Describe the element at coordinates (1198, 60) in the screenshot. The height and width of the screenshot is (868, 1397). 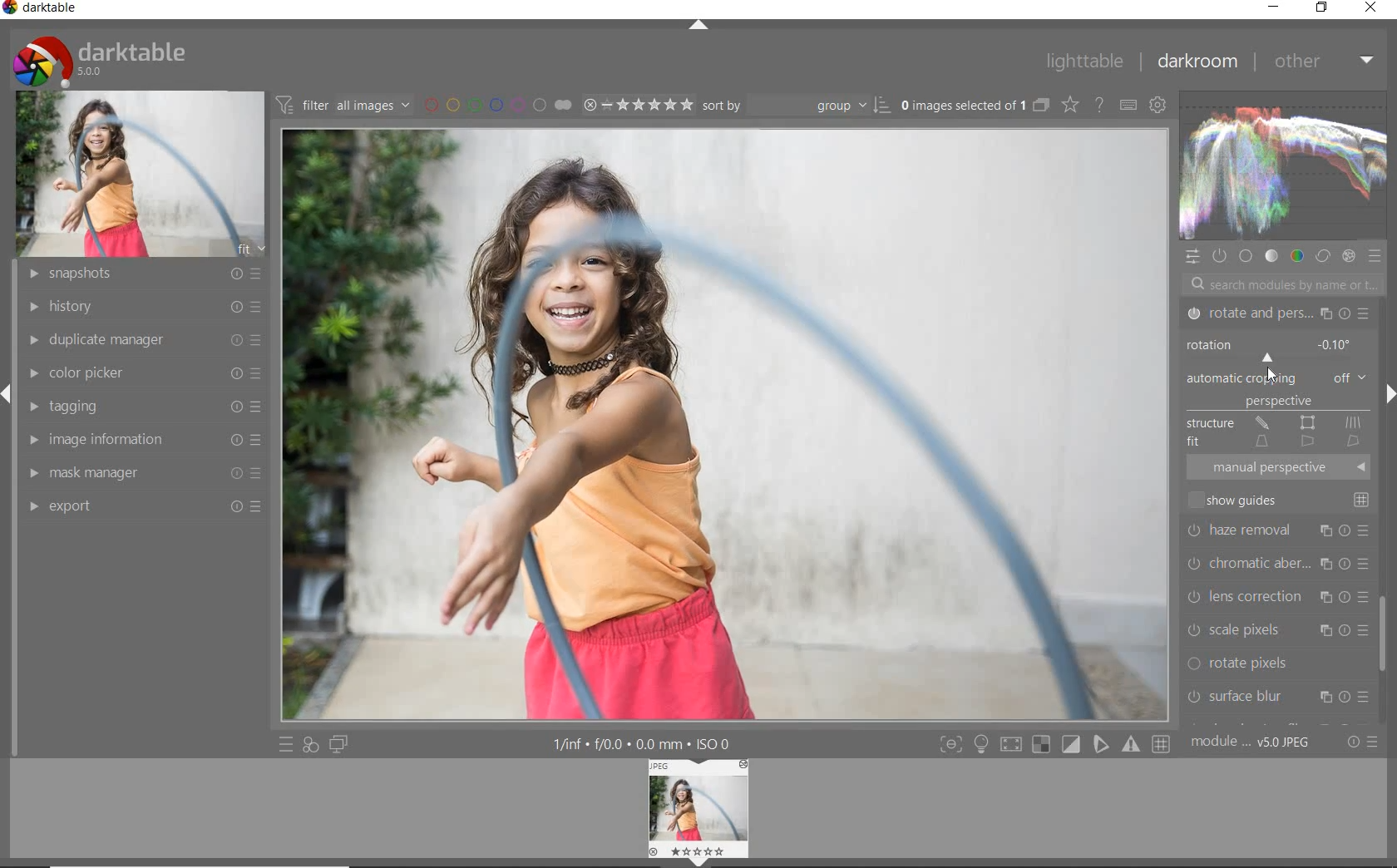
I see `darkroom` at that location.